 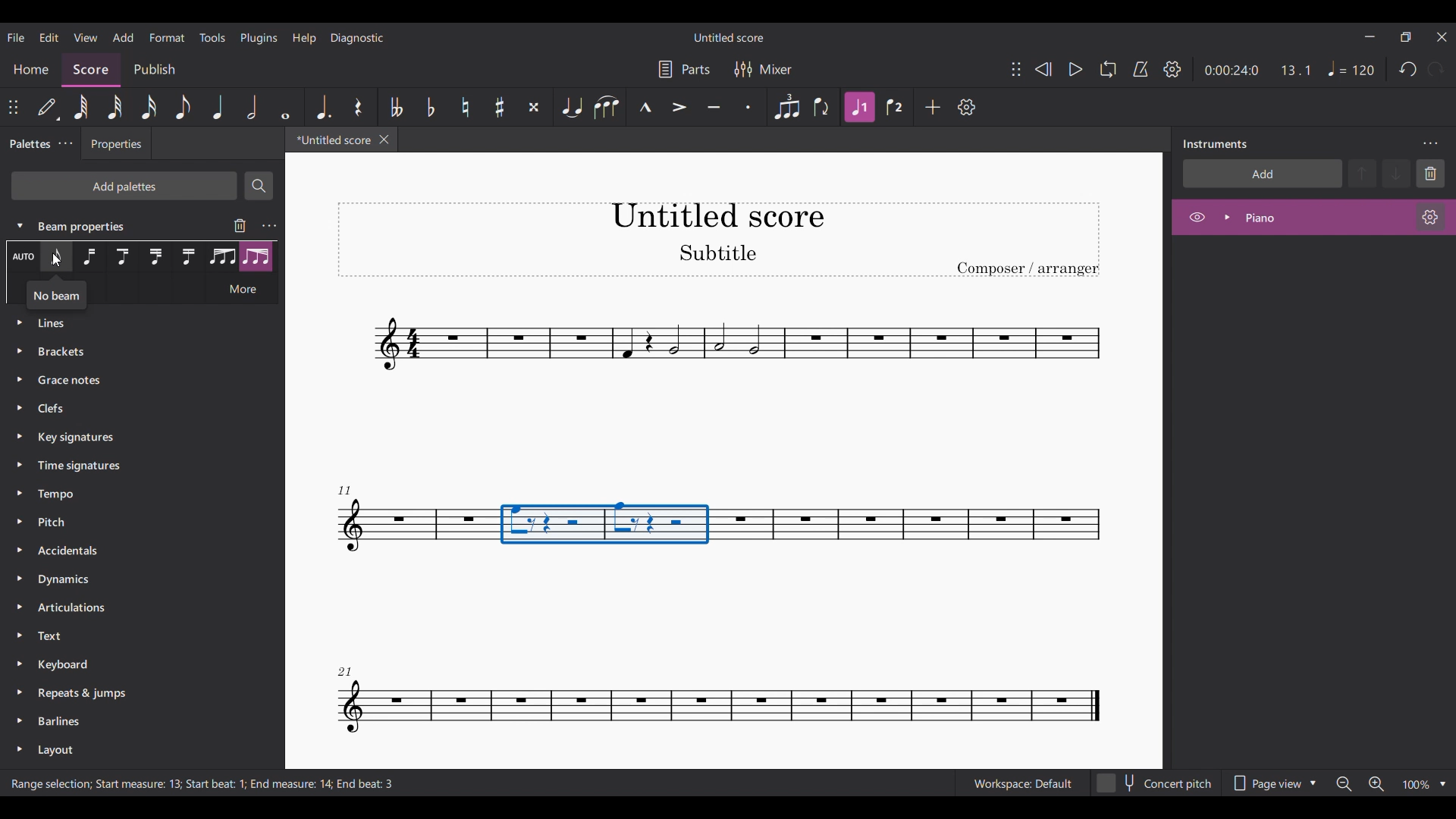 What do you see at coordinates (500, 107) in the screenshot?
I see `Toggle sharp` at bounding box center [500, 107].